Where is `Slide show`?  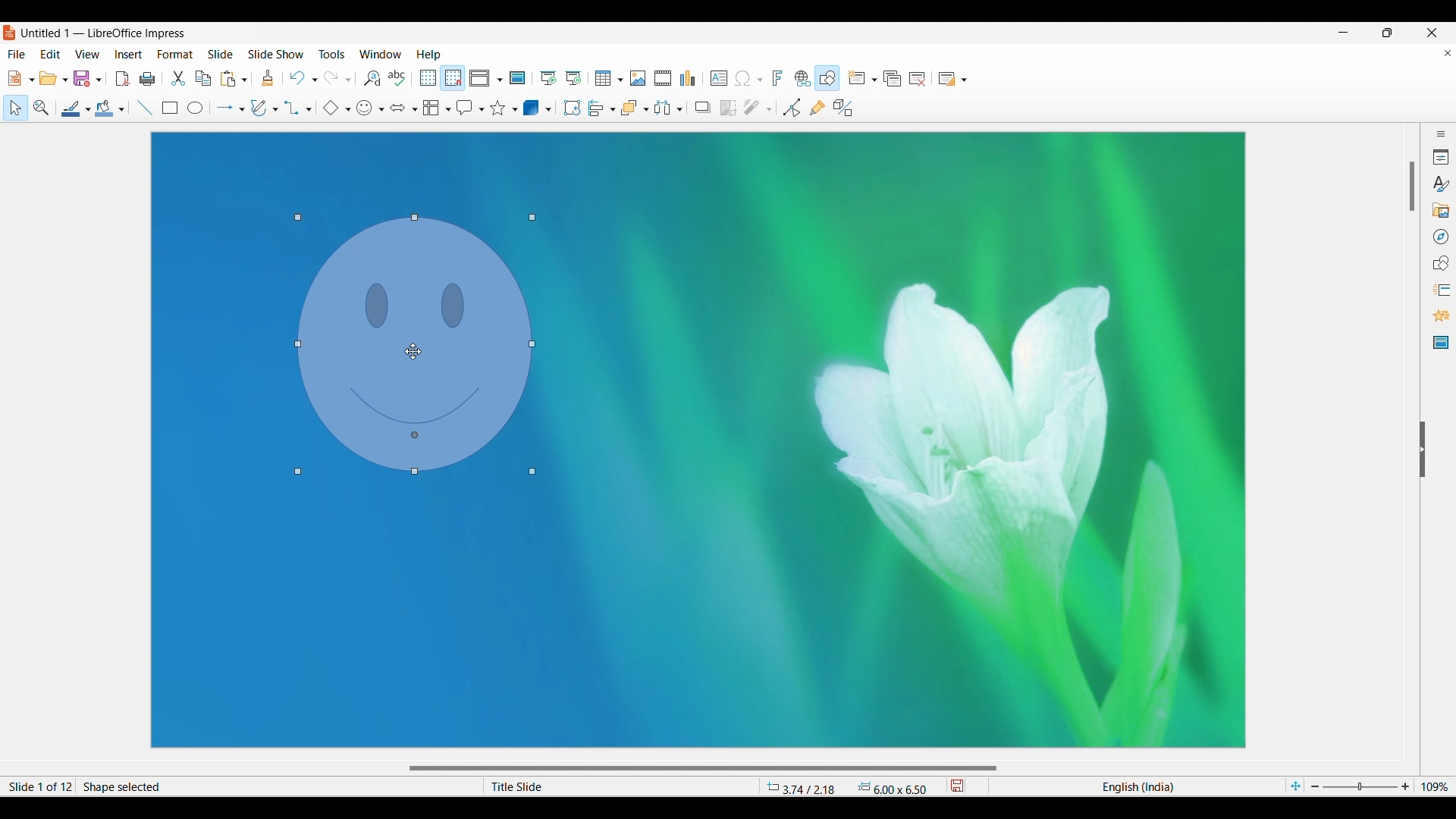 Slide show is located at coordinates (275, 53).